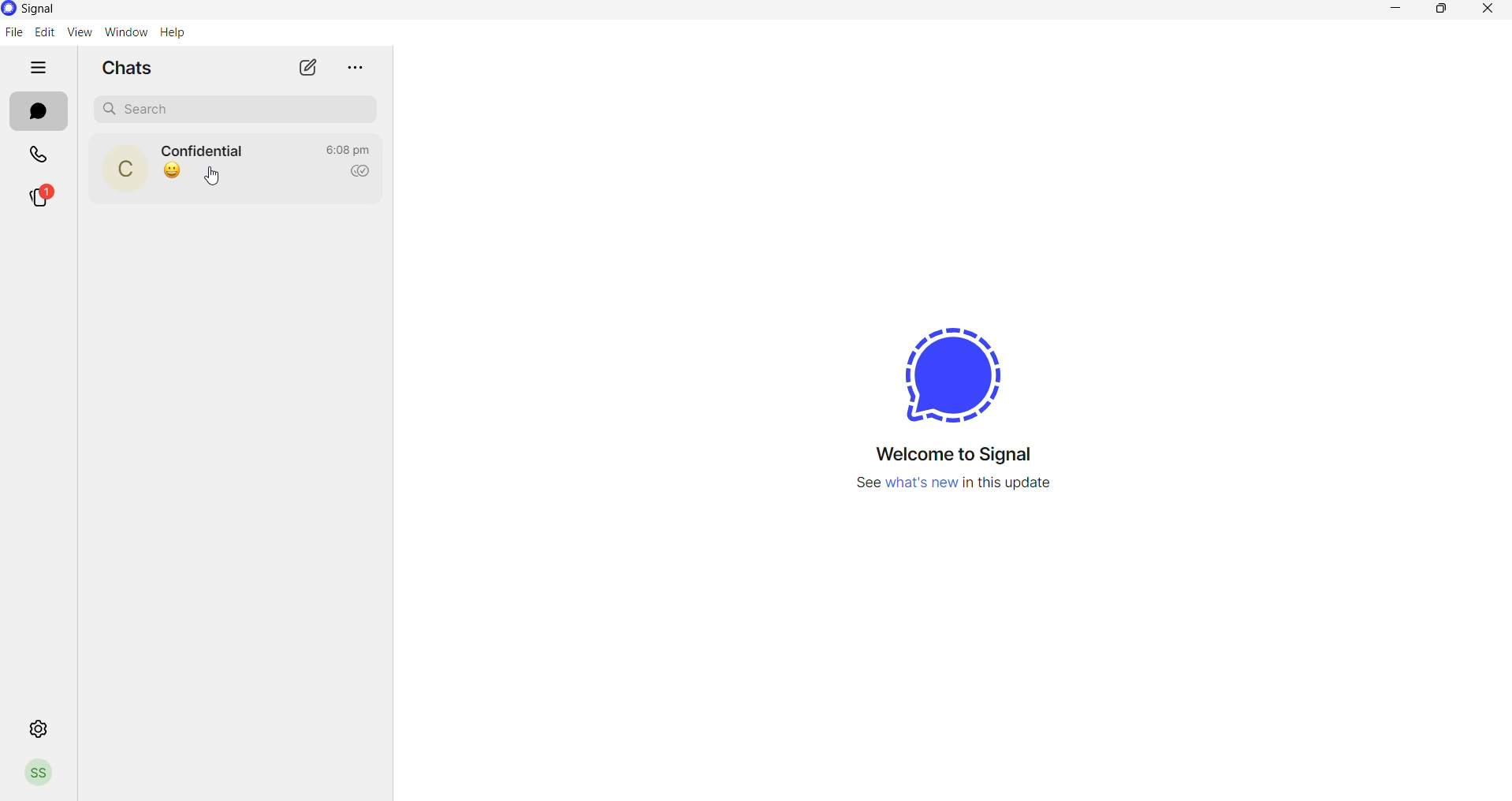 Image resolution: width=1512 pixels, height=801 pixels. What do you see at coordinates (123, 34) in the screenshot?
I see `window` at bounding box center [123, 34].